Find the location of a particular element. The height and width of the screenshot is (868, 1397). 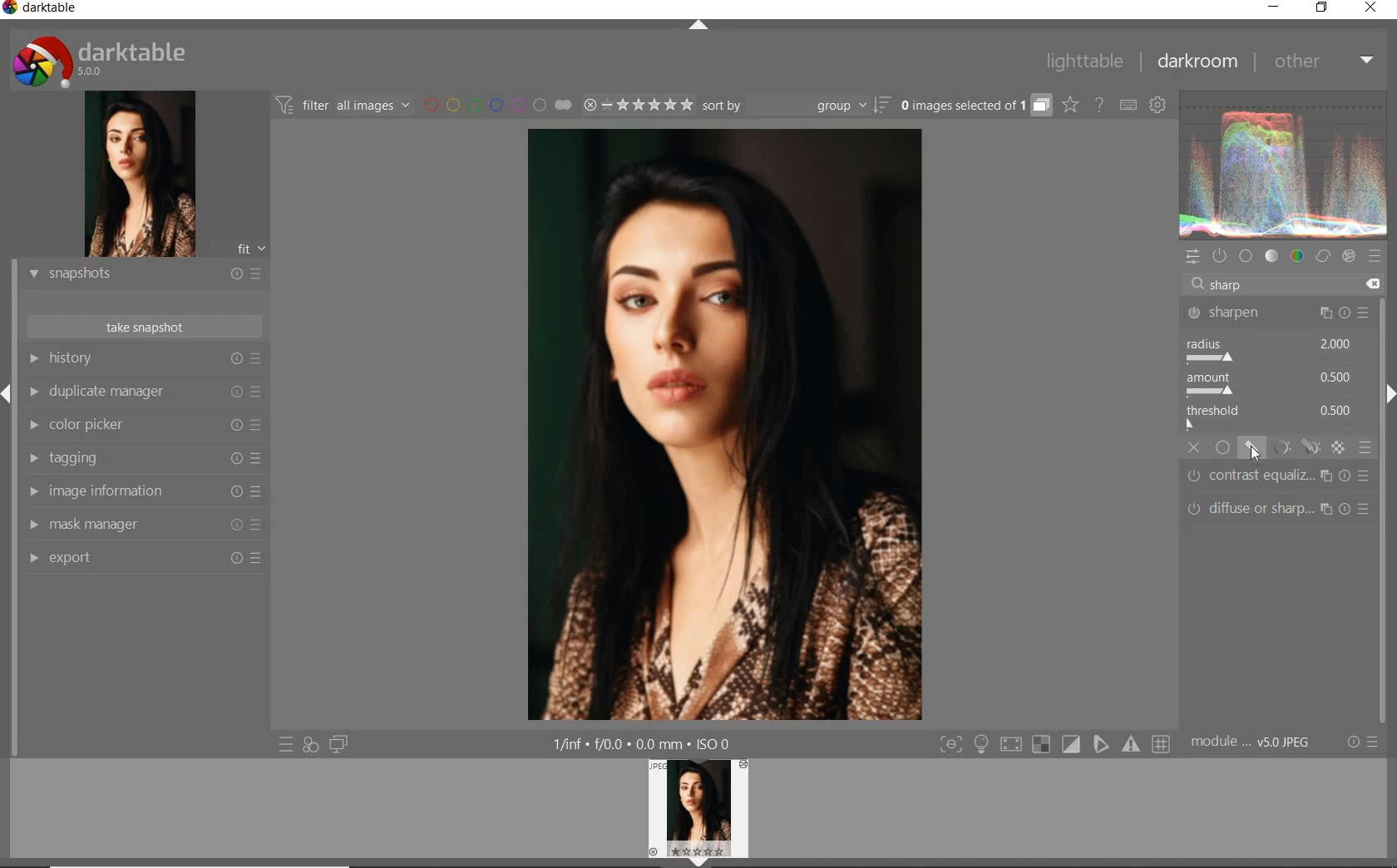

set keyboard shortcuts is located at coordinates (1129, 106).